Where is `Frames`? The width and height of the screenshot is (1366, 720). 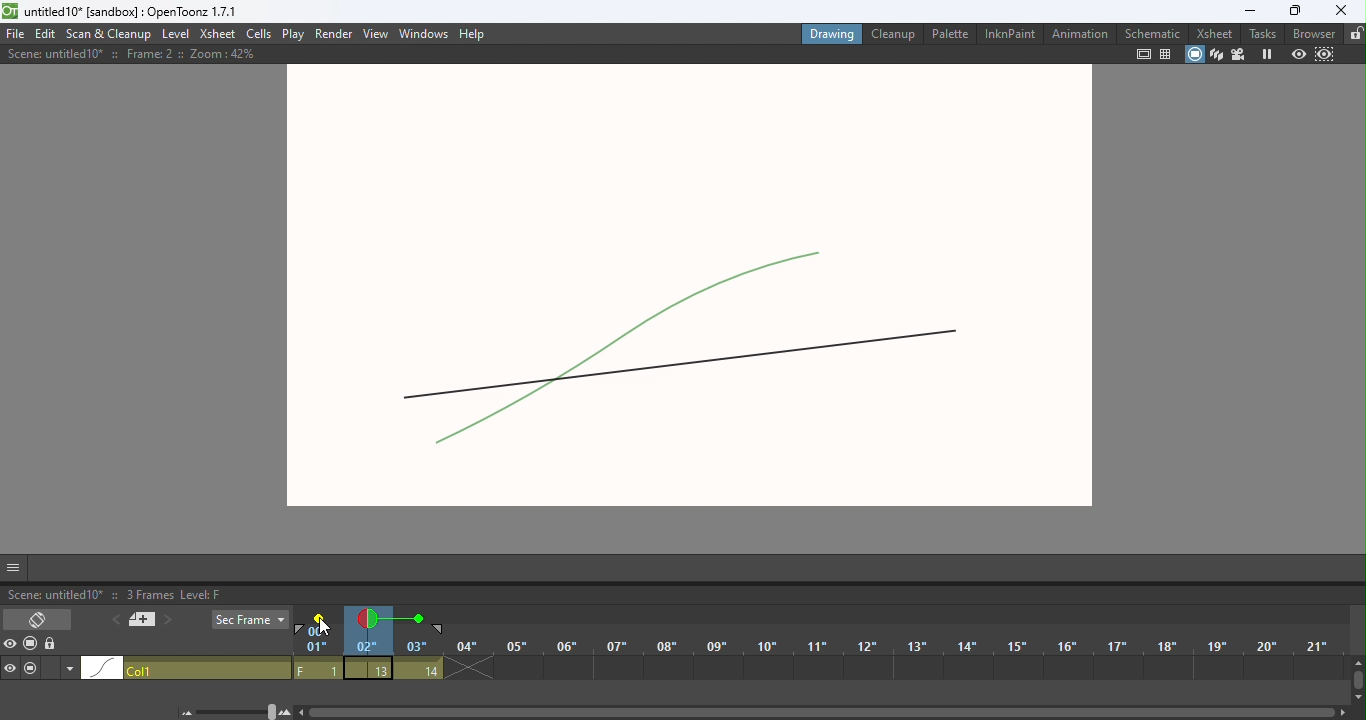
Frames is located at coordinates (813, 648).